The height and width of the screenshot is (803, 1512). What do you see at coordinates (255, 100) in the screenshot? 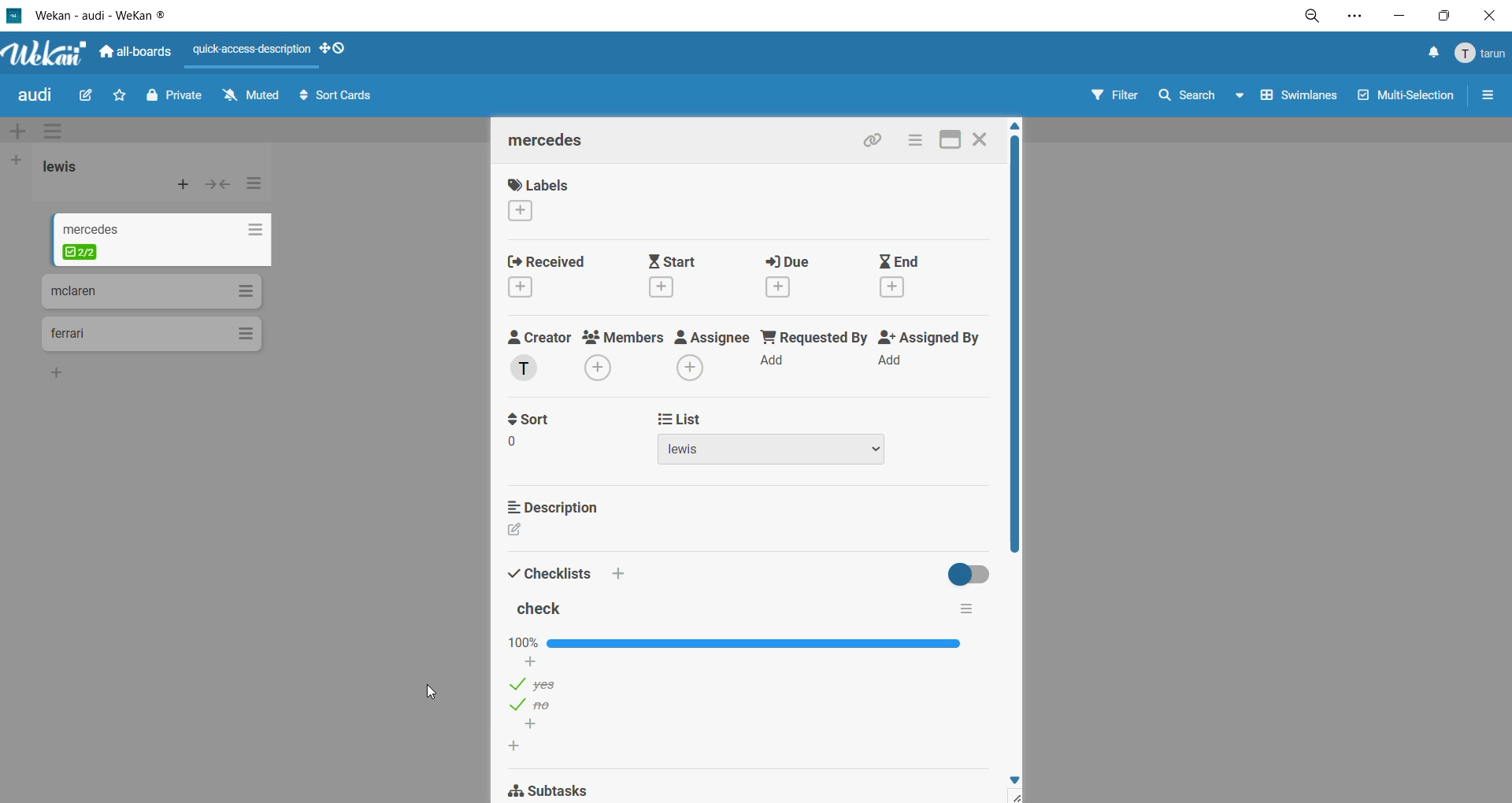
I see `muted` at bounding box center [255, 100].